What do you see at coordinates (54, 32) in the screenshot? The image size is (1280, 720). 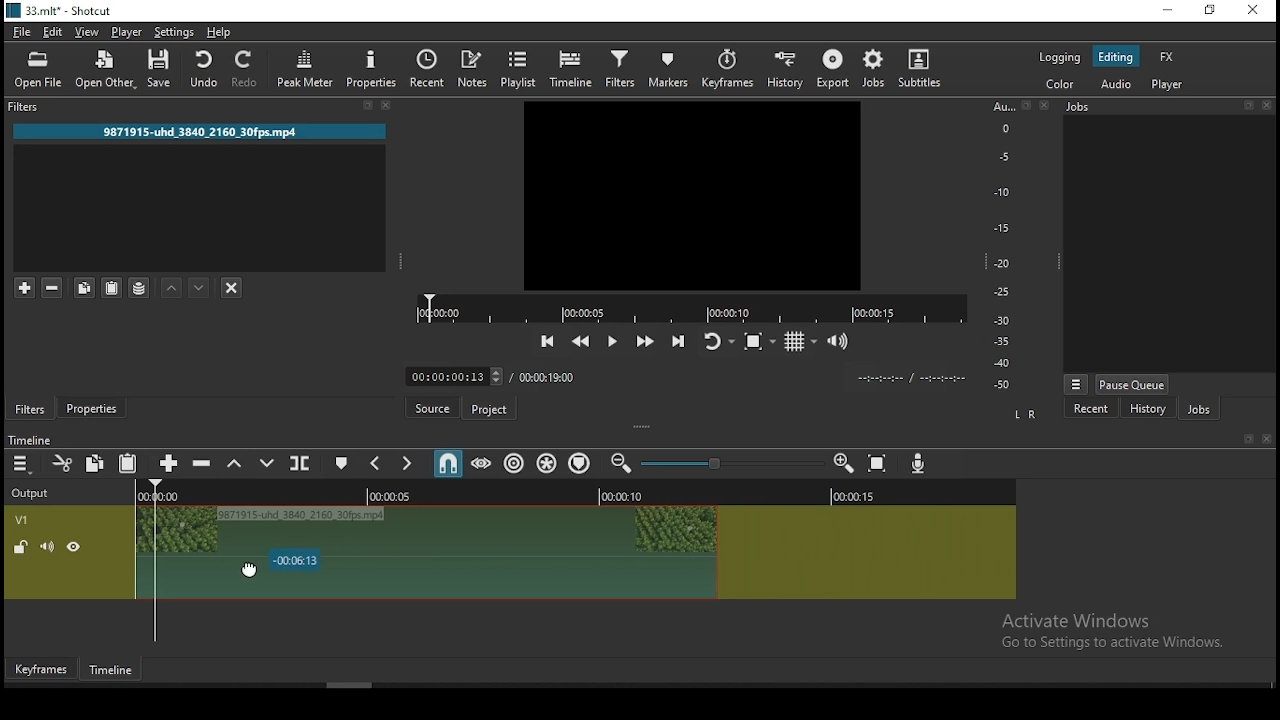 I see `edit` at bounding box center [54, 32].